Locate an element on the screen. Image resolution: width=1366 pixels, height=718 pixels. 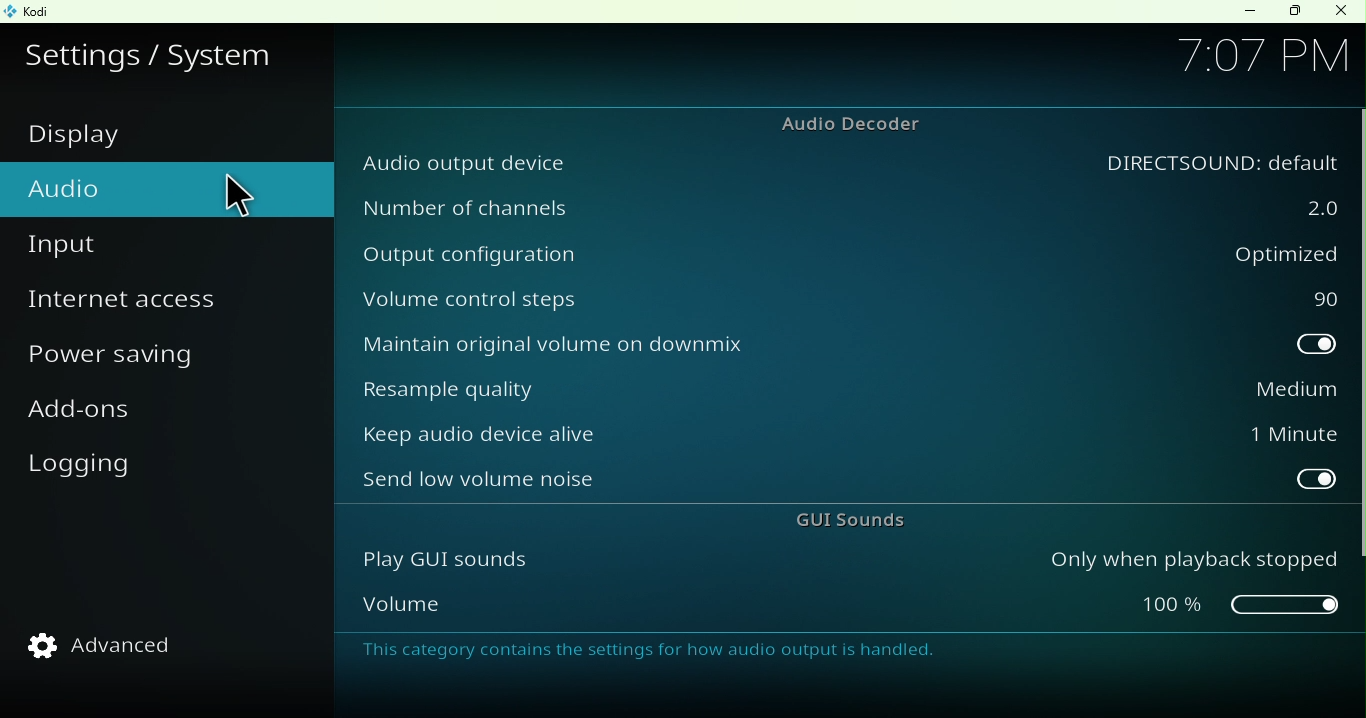
slider is located at coordinates (1193, 610).